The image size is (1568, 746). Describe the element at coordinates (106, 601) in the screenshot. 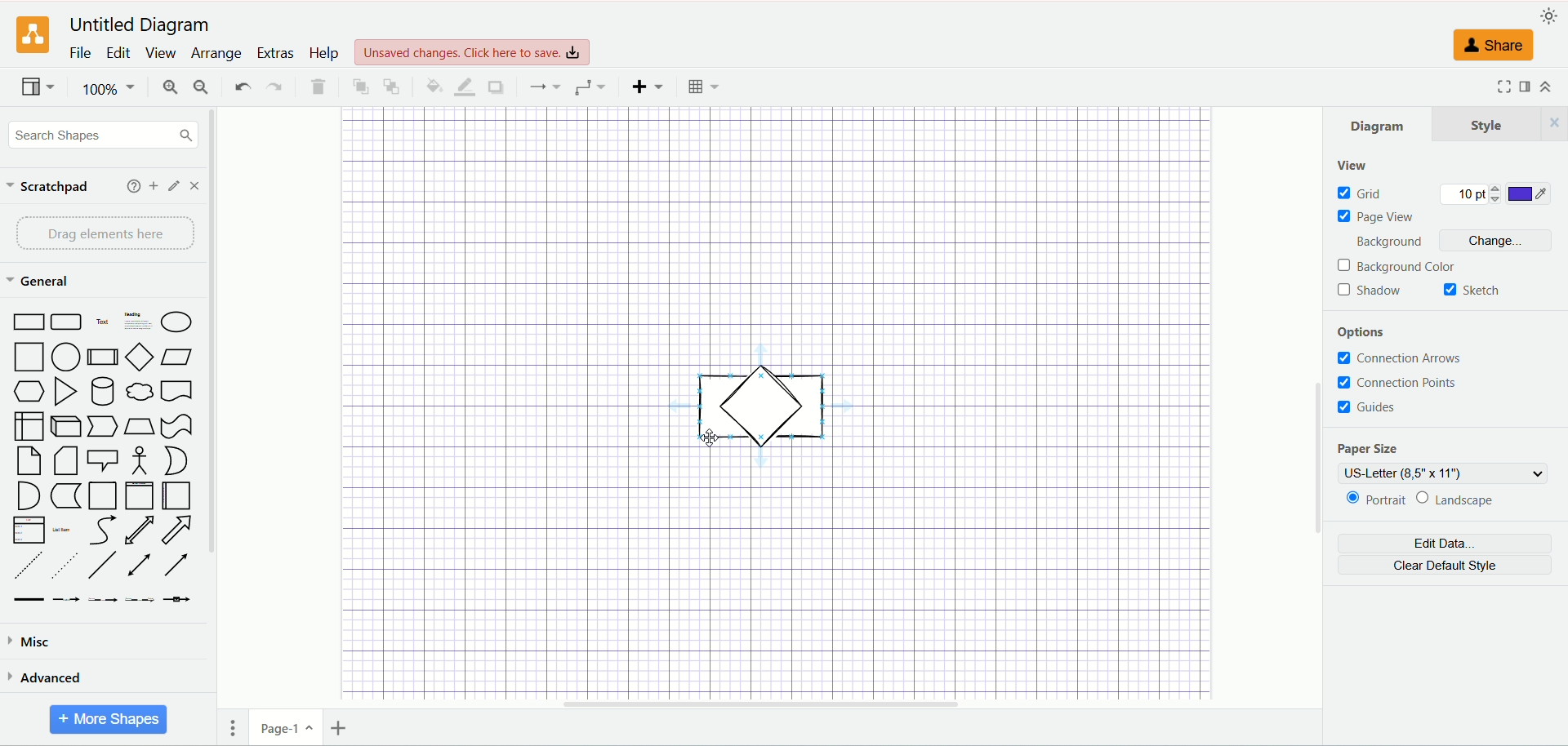

I see `Connector with 2 label` at that location.